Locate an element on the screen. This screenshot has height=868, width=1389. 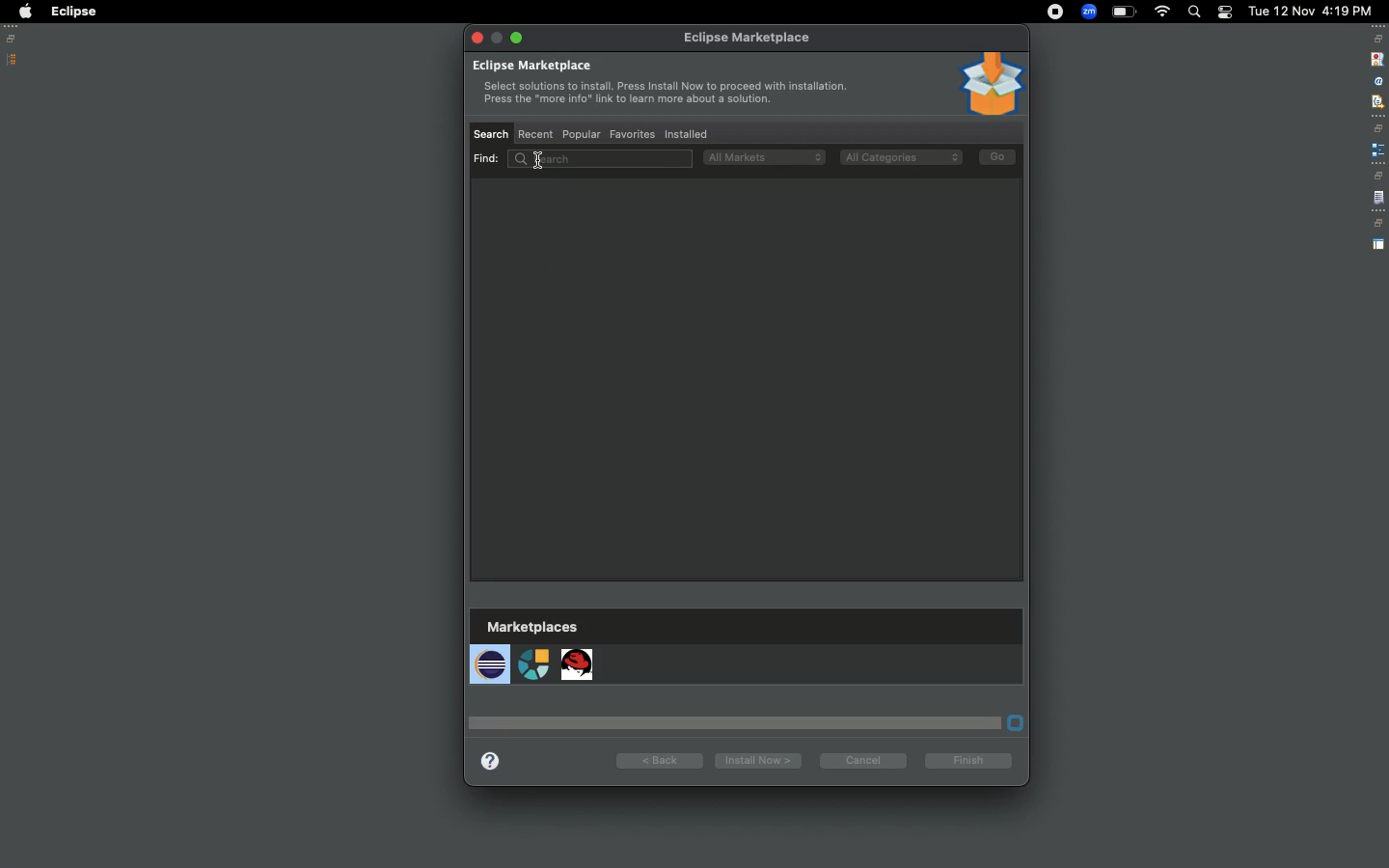
extension point is located at coordinates (1377, 149).